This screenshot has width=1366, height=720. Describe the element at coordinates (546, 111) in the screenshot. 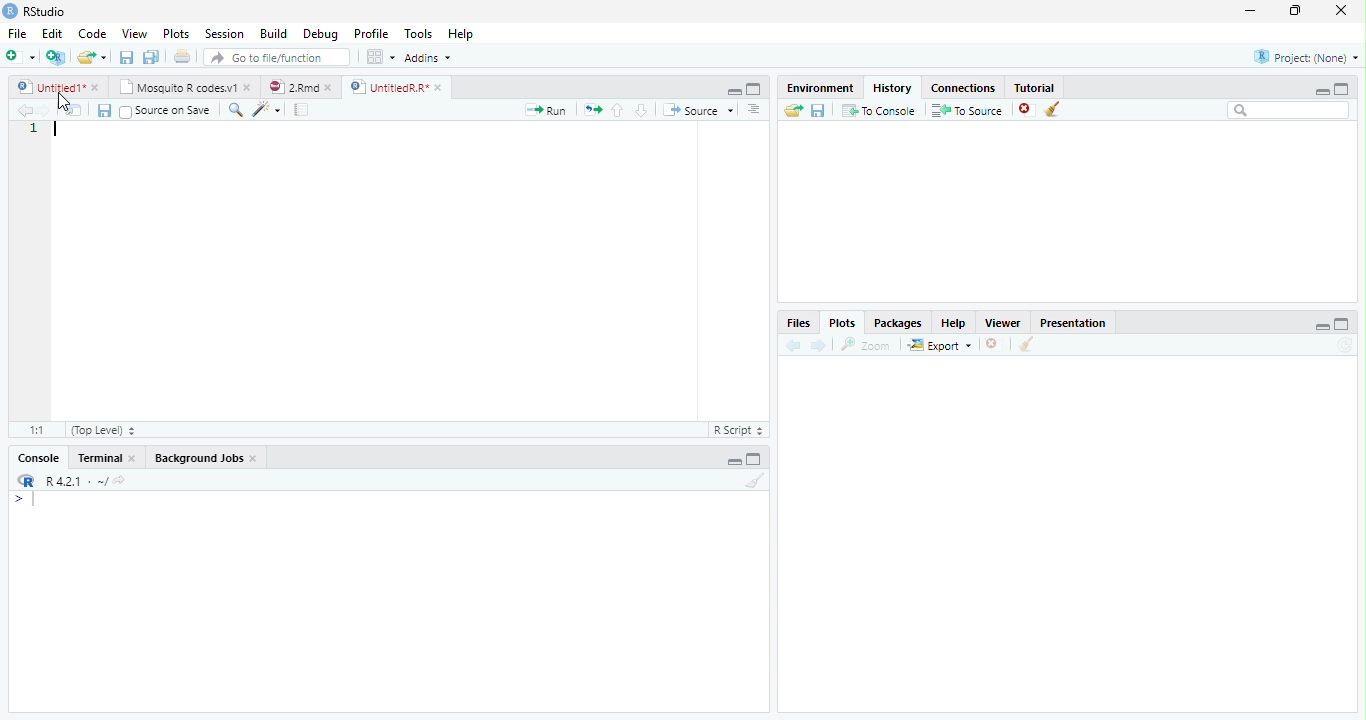

I see `Run` at that location.